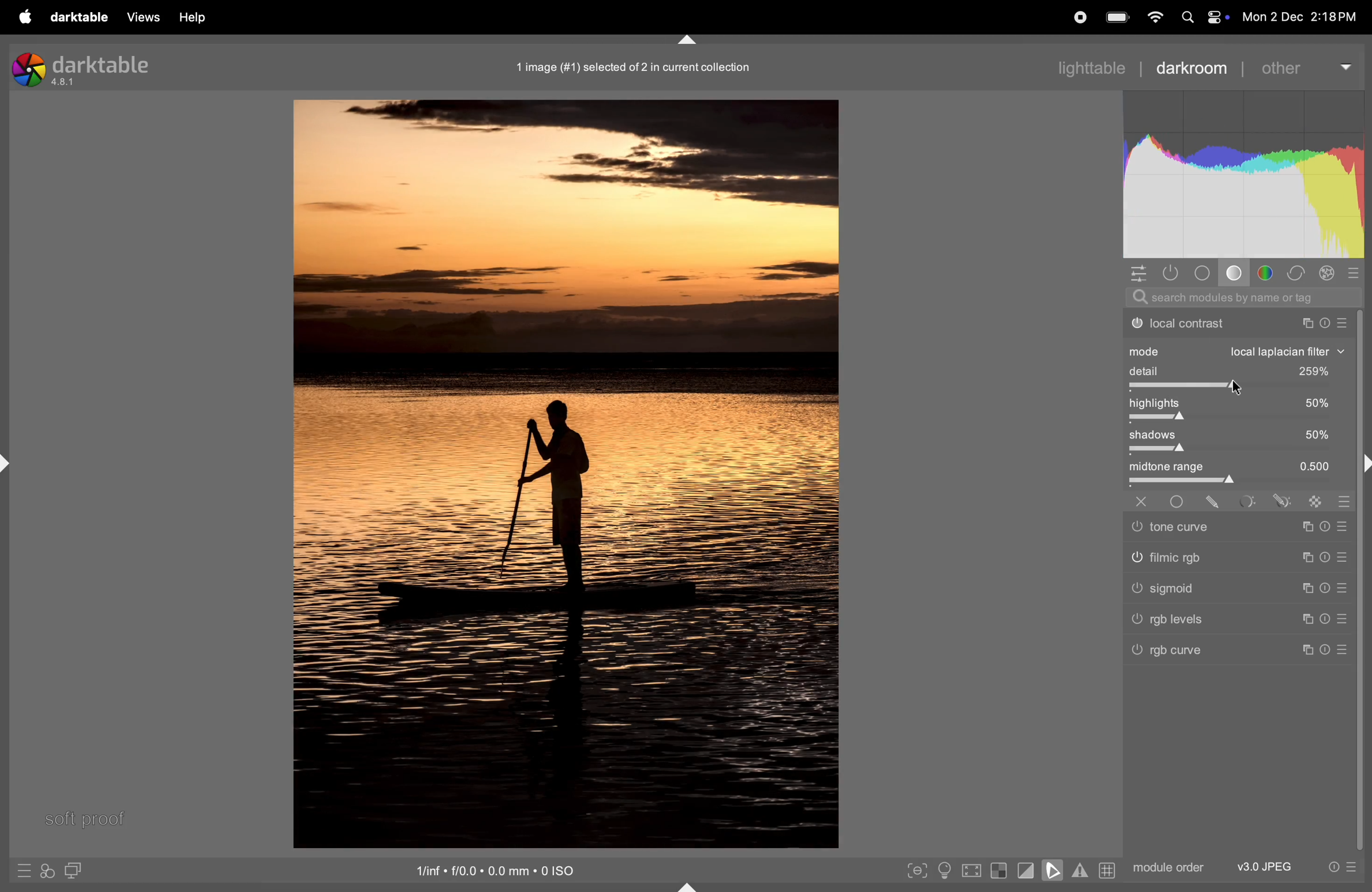  What do you see at coordinates (1181, 501) in the screenshot?
I see `` at bounding box center [1181, 501].